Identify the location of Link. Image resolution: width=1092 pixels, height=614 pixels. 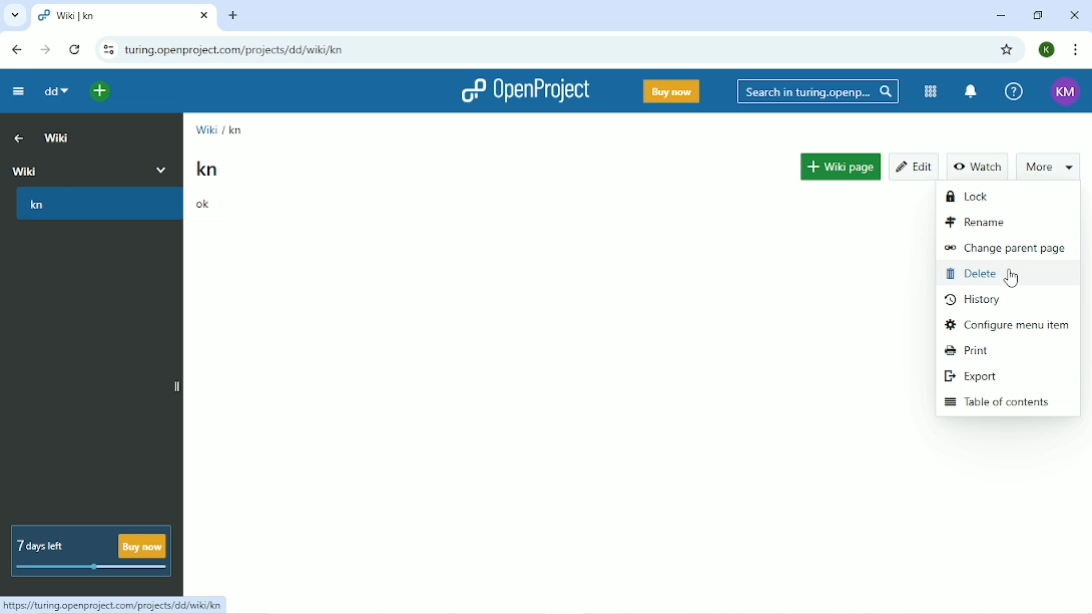
(113, 604).